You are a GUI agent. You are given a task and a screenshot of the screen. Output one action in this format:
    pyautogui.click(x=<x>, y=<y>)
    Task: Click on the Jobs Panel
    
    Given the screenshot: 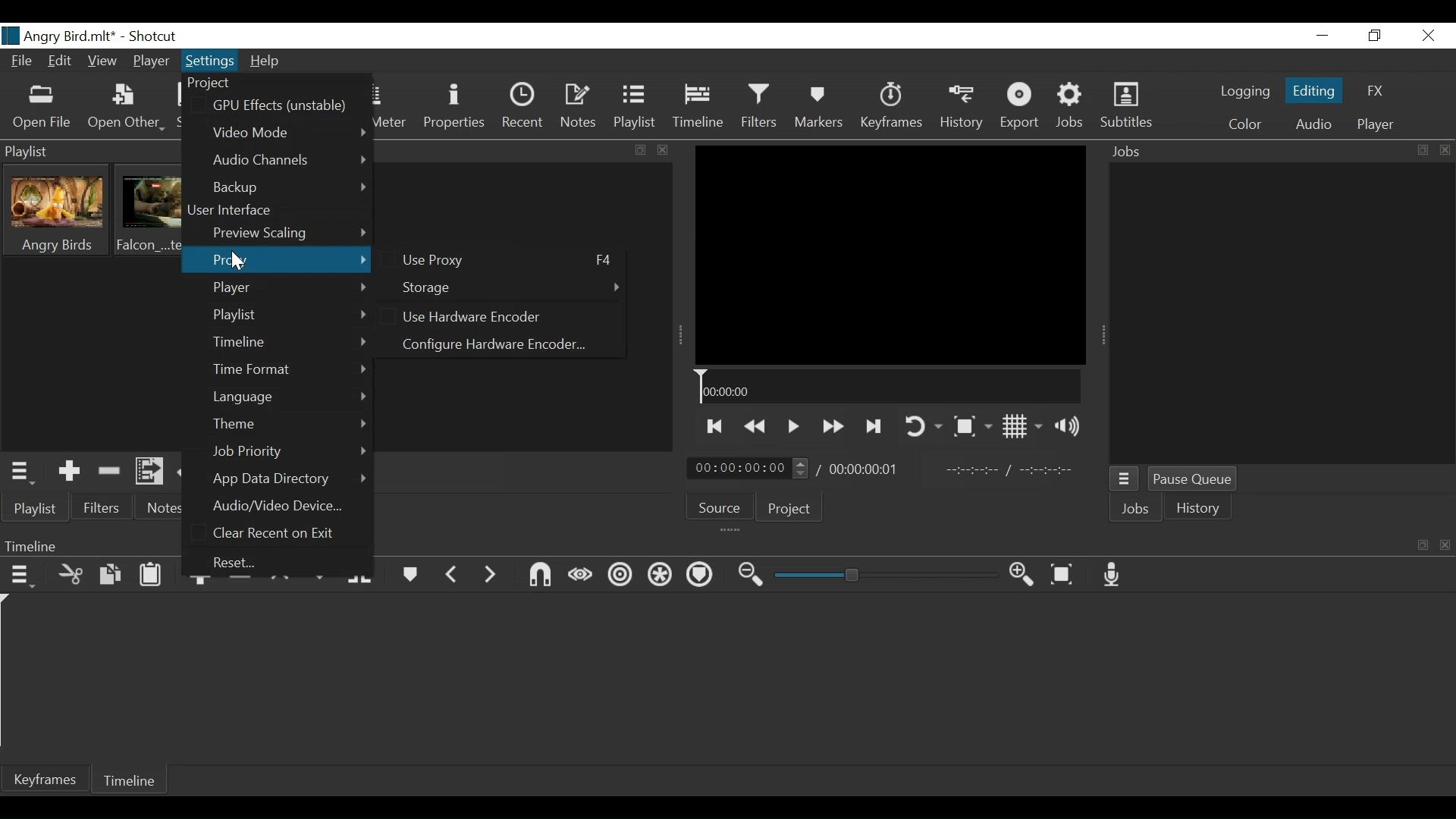 What is the action you would take?
    pyautogui.click(x=1278, y=152)
    